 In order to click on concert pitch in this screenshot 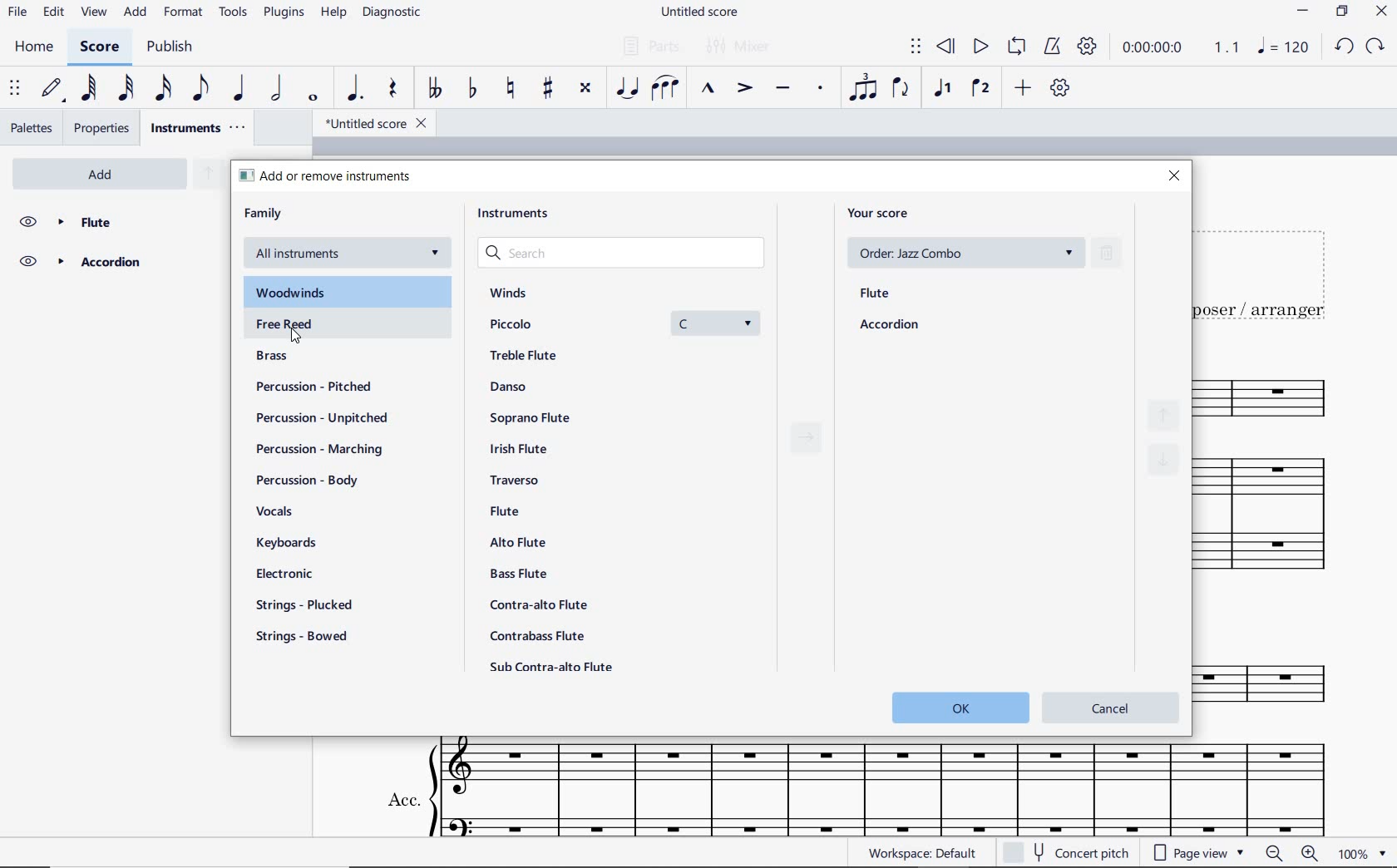, I will do `click(1083, 854)`.